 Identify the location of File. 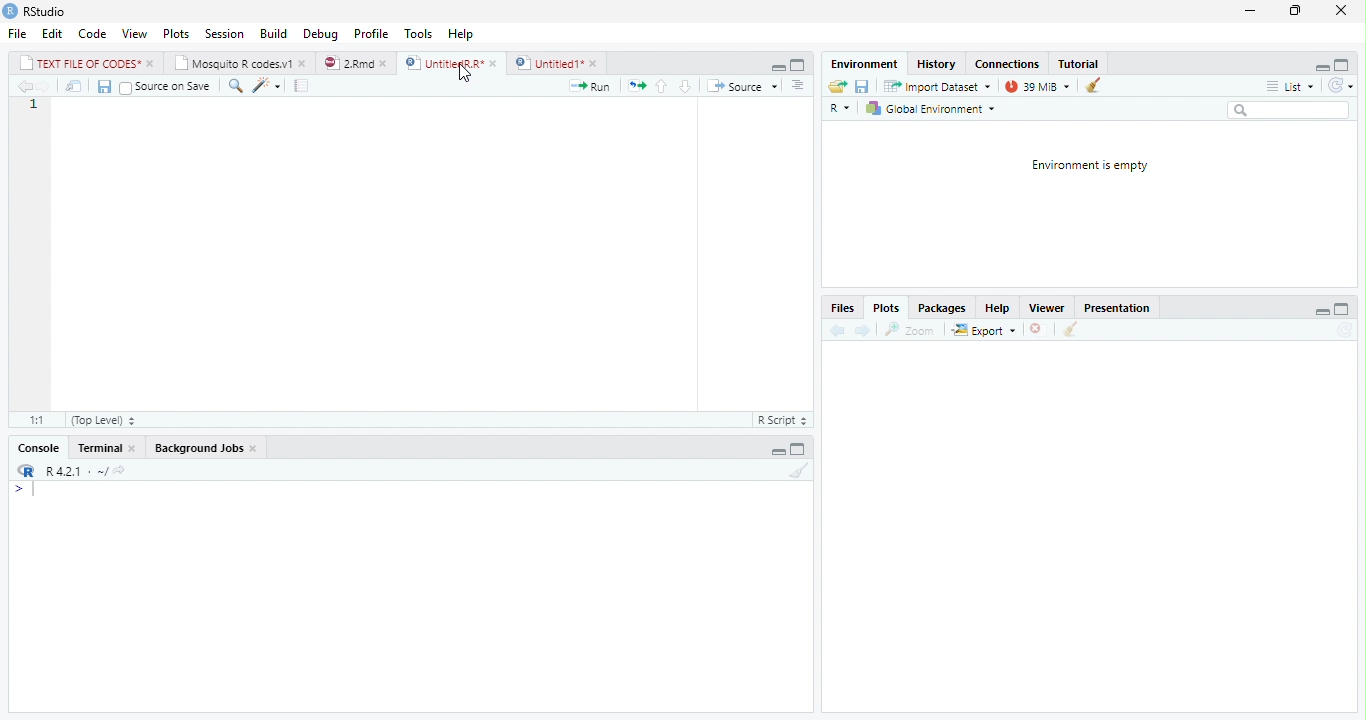
(16, 33).